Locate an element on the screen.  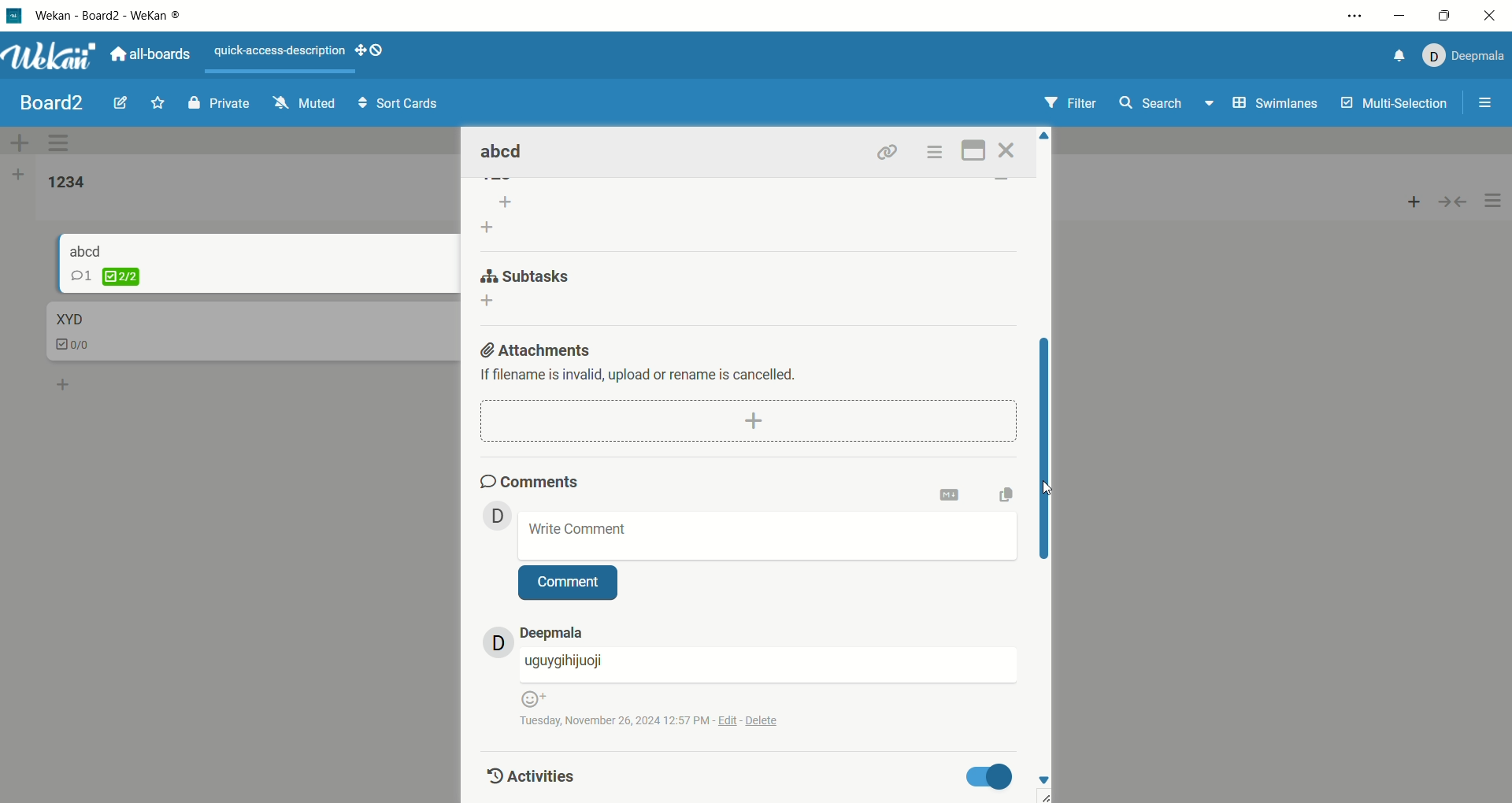
sort cards is located at coordinates (398, 105).